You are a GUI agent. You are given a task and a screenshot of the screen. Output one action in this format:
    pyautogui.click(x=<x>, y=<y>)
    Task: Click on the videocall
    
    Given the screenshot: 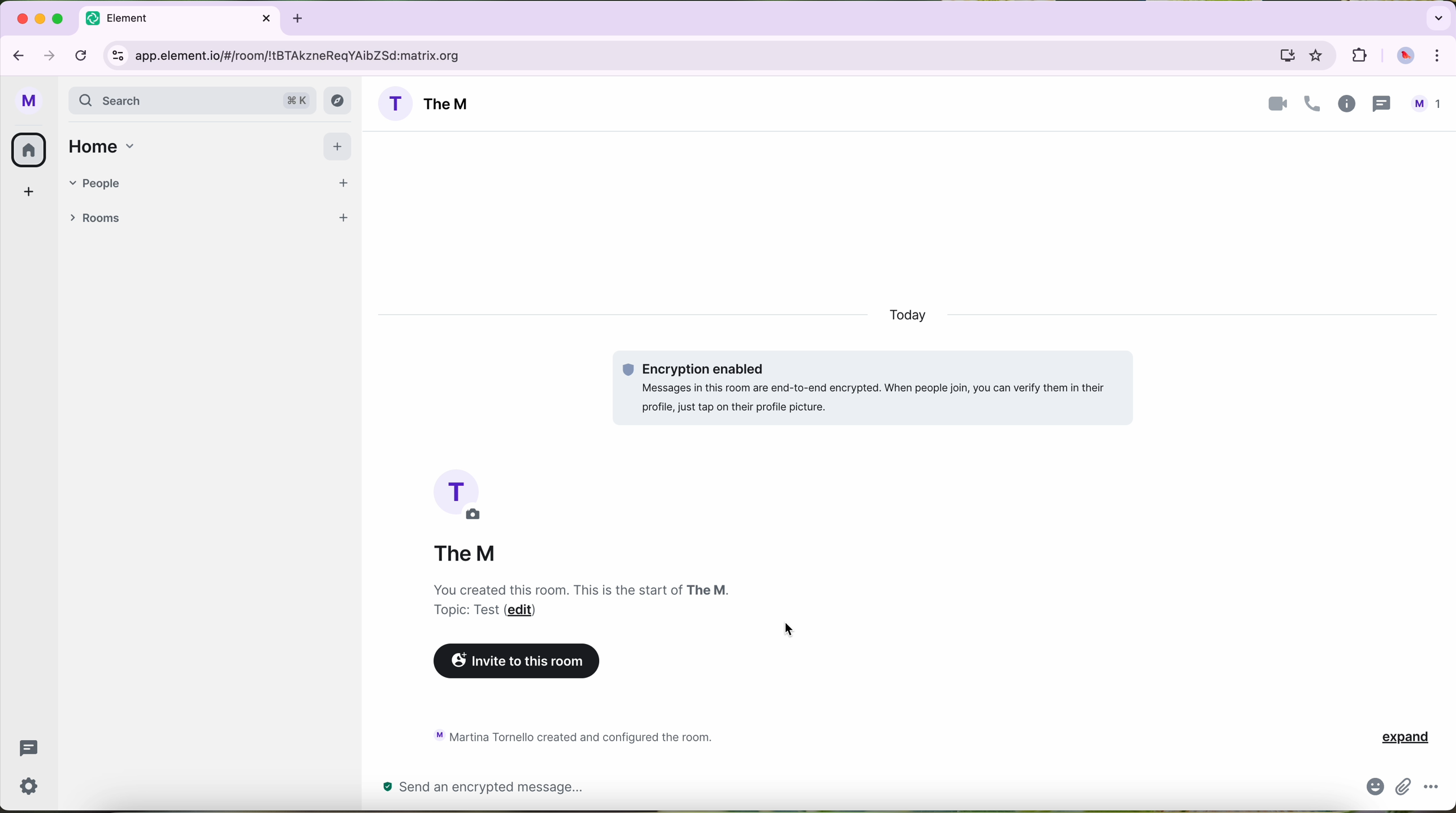 What is the action you would take?
    pyautogui.click(x=1283, y=104)
    